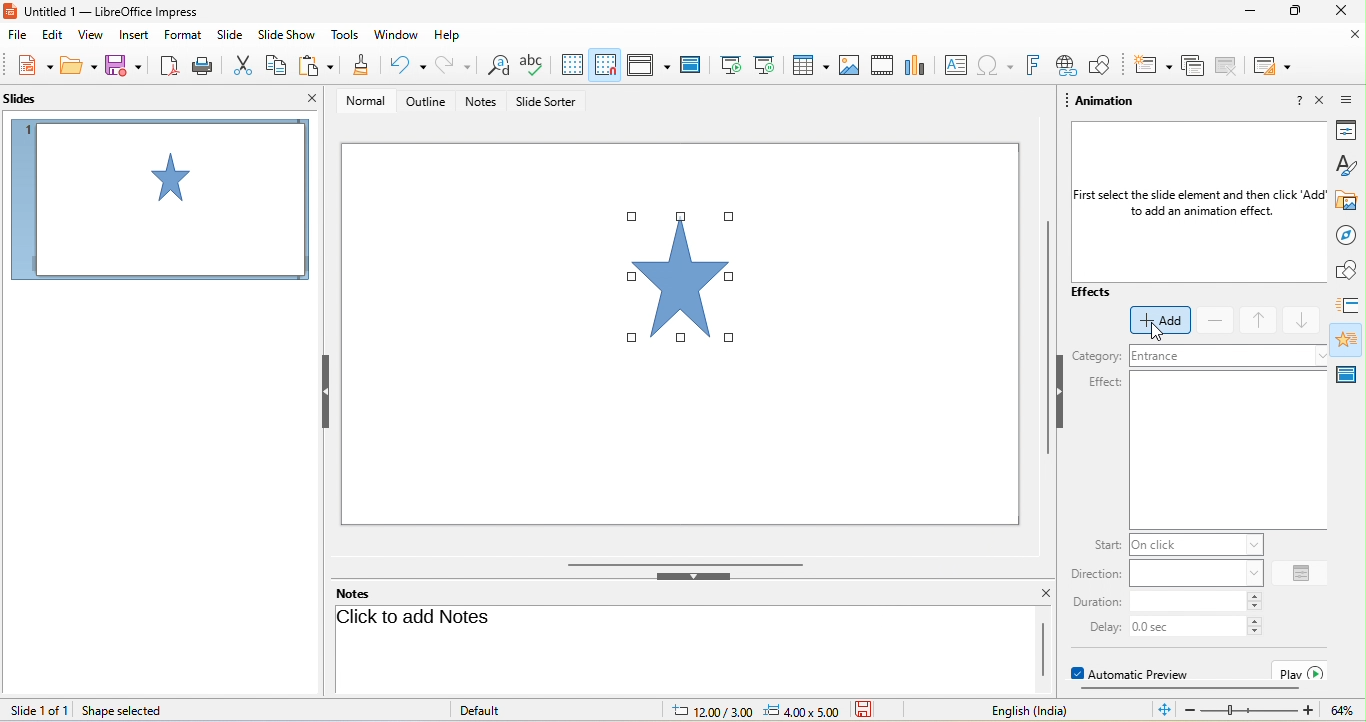  I want to click on vertical scrollbar, so click(1042, 331).